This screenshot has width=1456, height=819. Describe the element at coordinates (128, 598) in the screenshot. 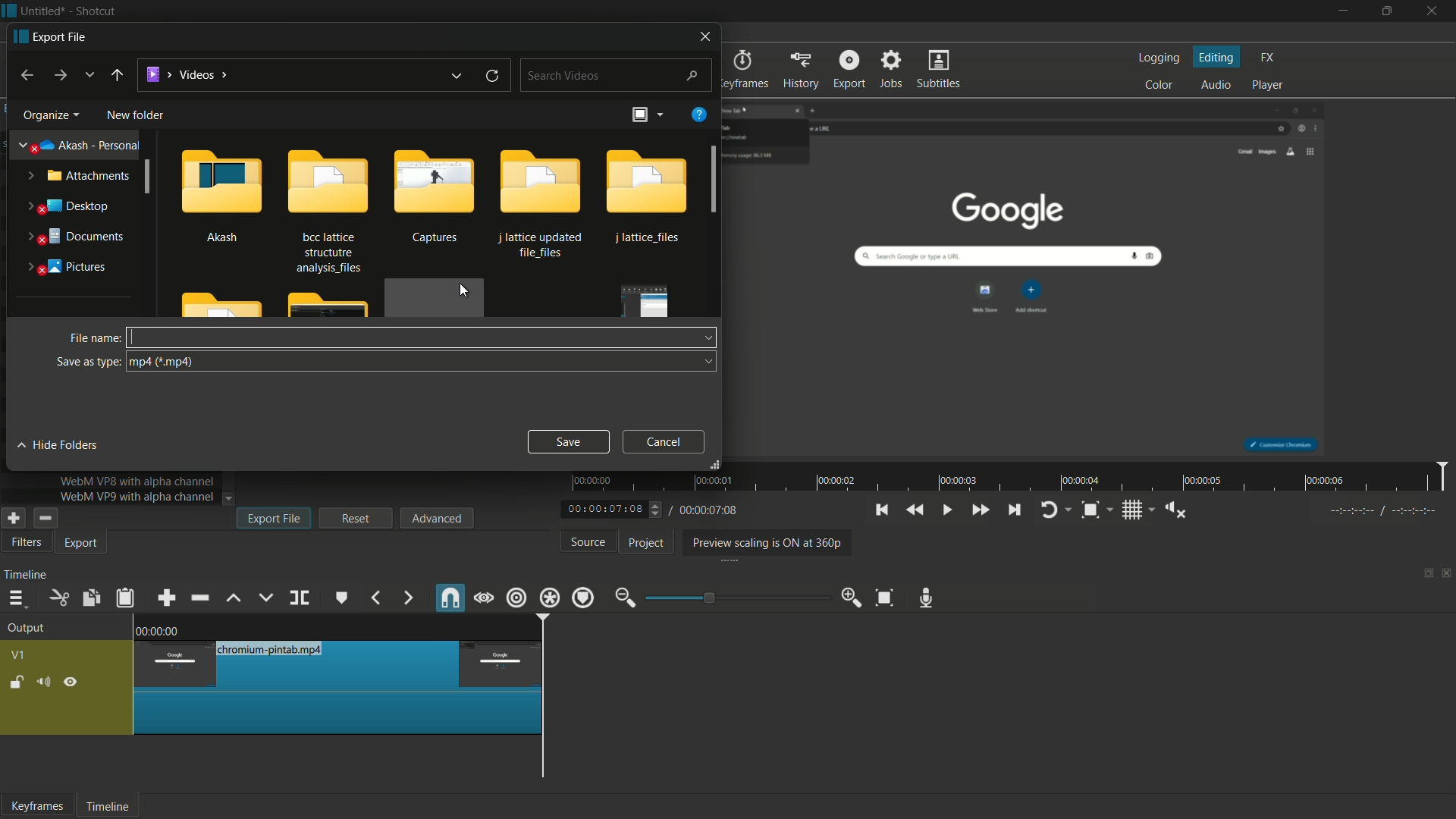

I see `paste` at that location.